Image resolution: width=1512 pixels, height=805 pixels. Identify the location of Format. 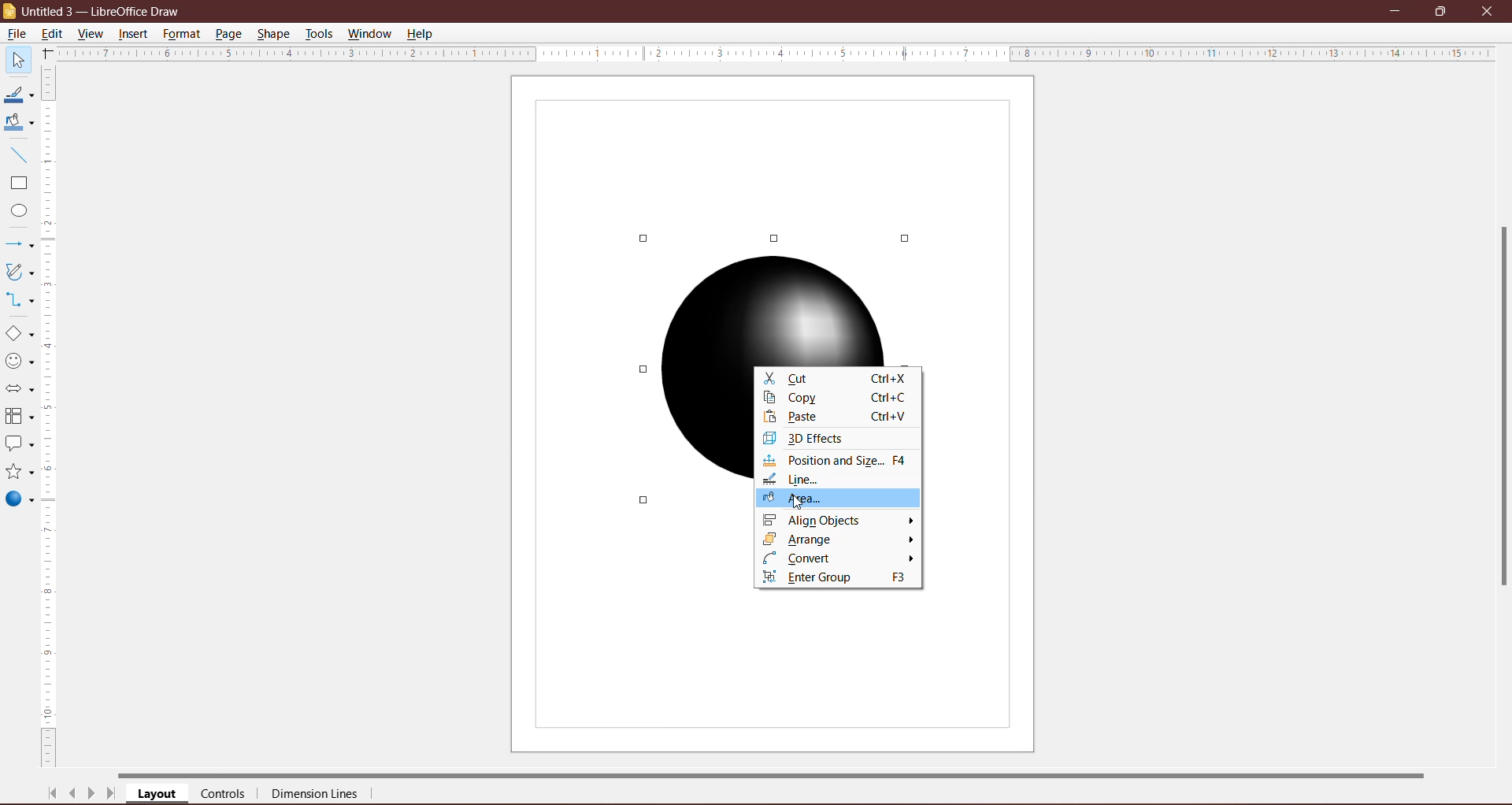
(181, 34).